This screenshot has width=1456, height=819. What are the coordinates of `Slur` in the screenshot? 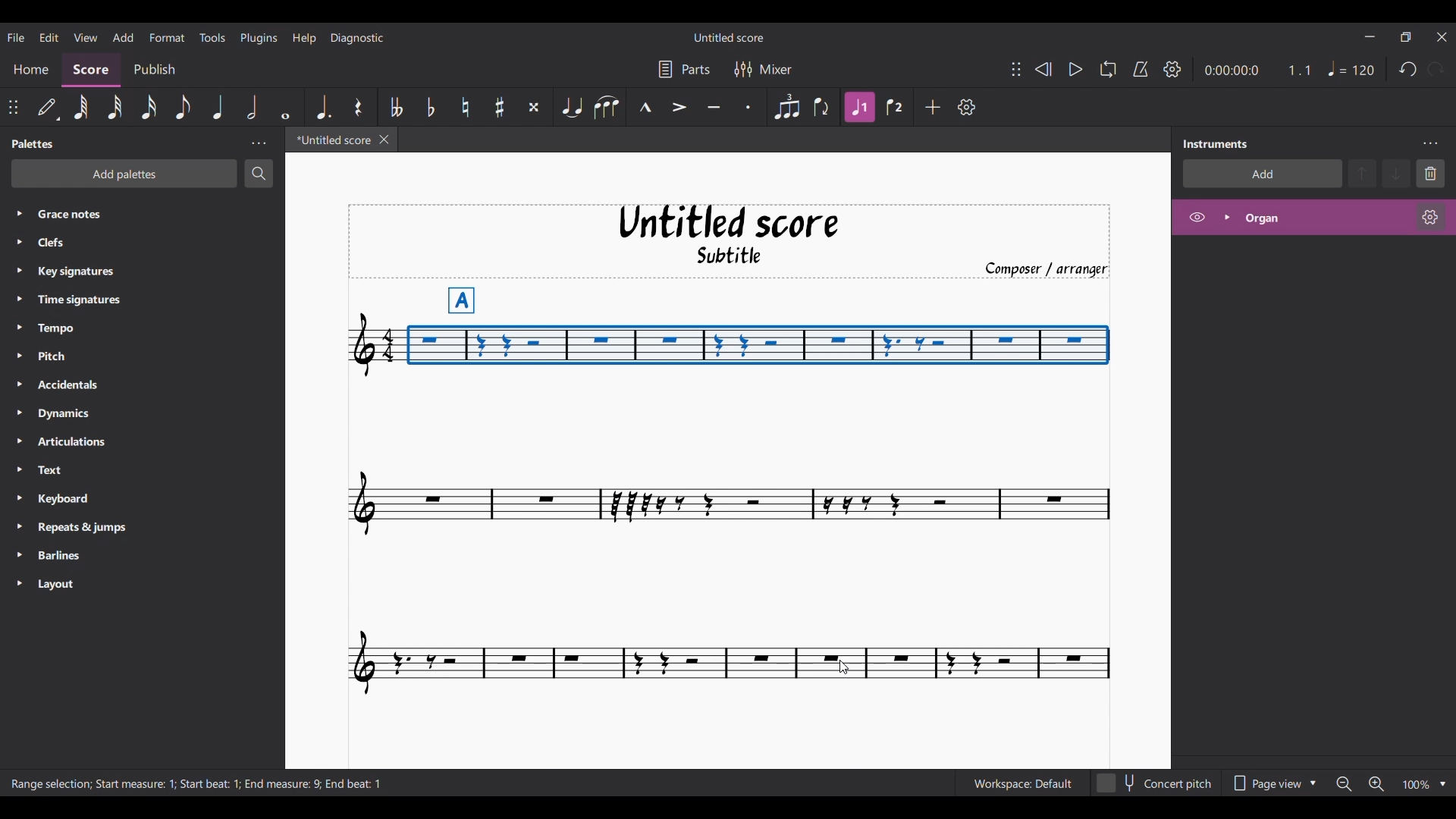 It's located at (606, 107).